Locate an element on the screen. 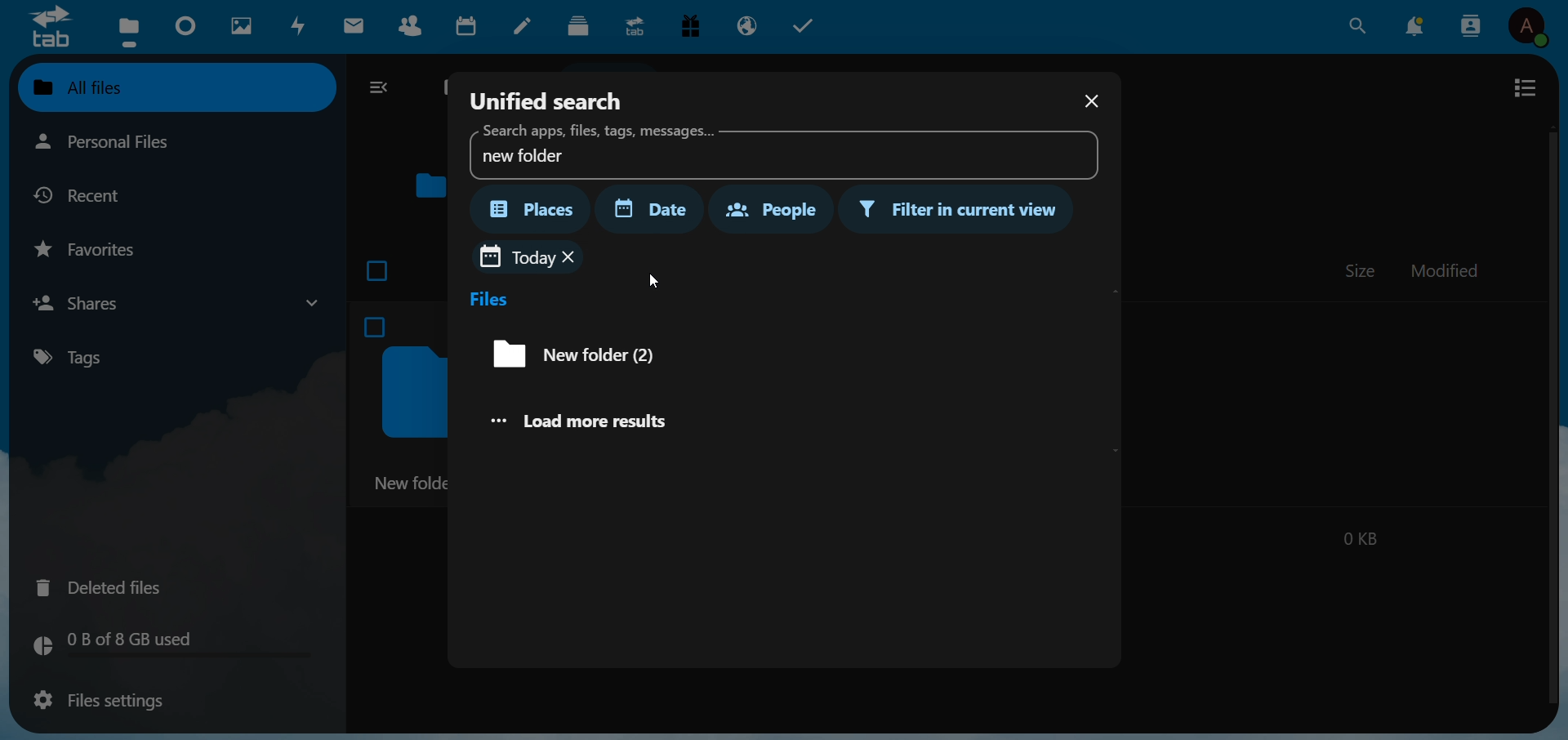  free trial is located at coordinates (695, 28).